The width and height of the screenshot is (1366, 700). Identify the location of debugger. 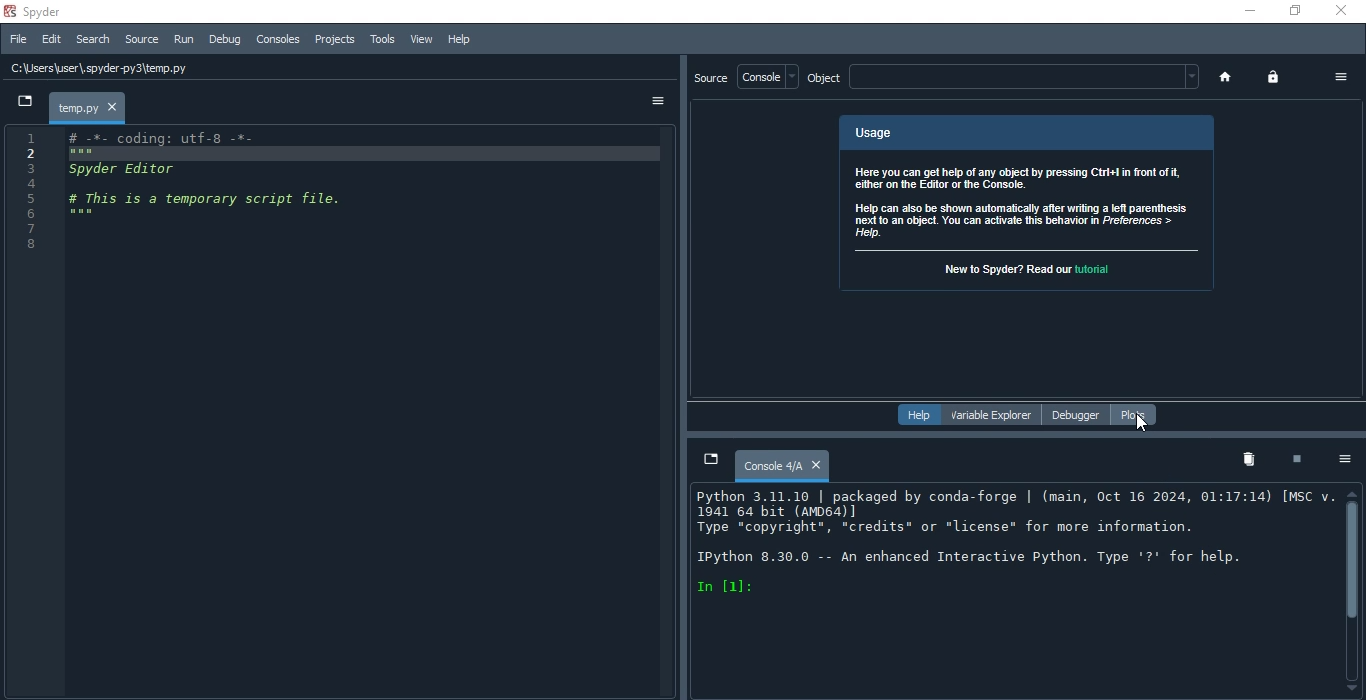
(1072, 415).